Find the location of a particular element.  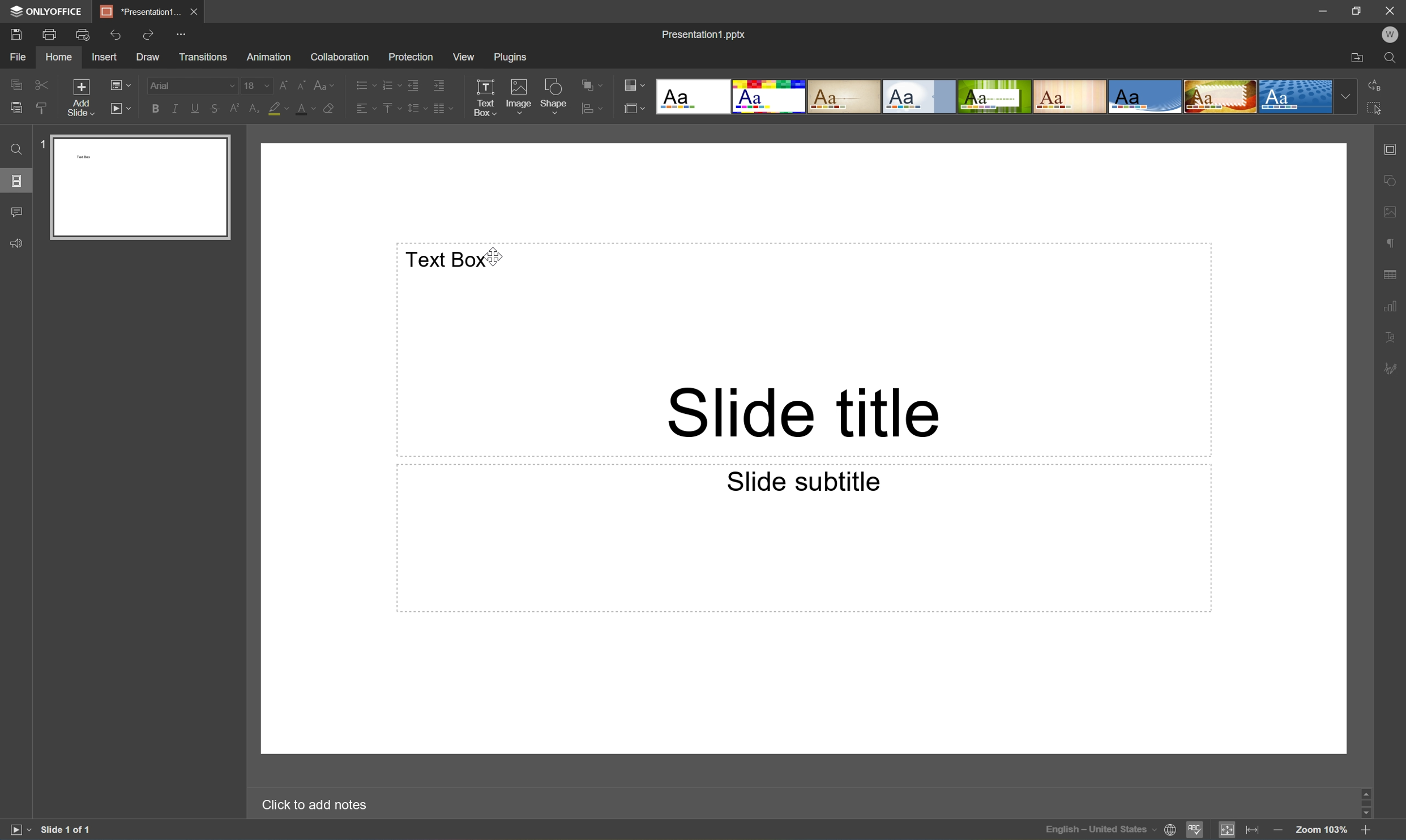

Restore Down is located at coordinates (1358, 8).